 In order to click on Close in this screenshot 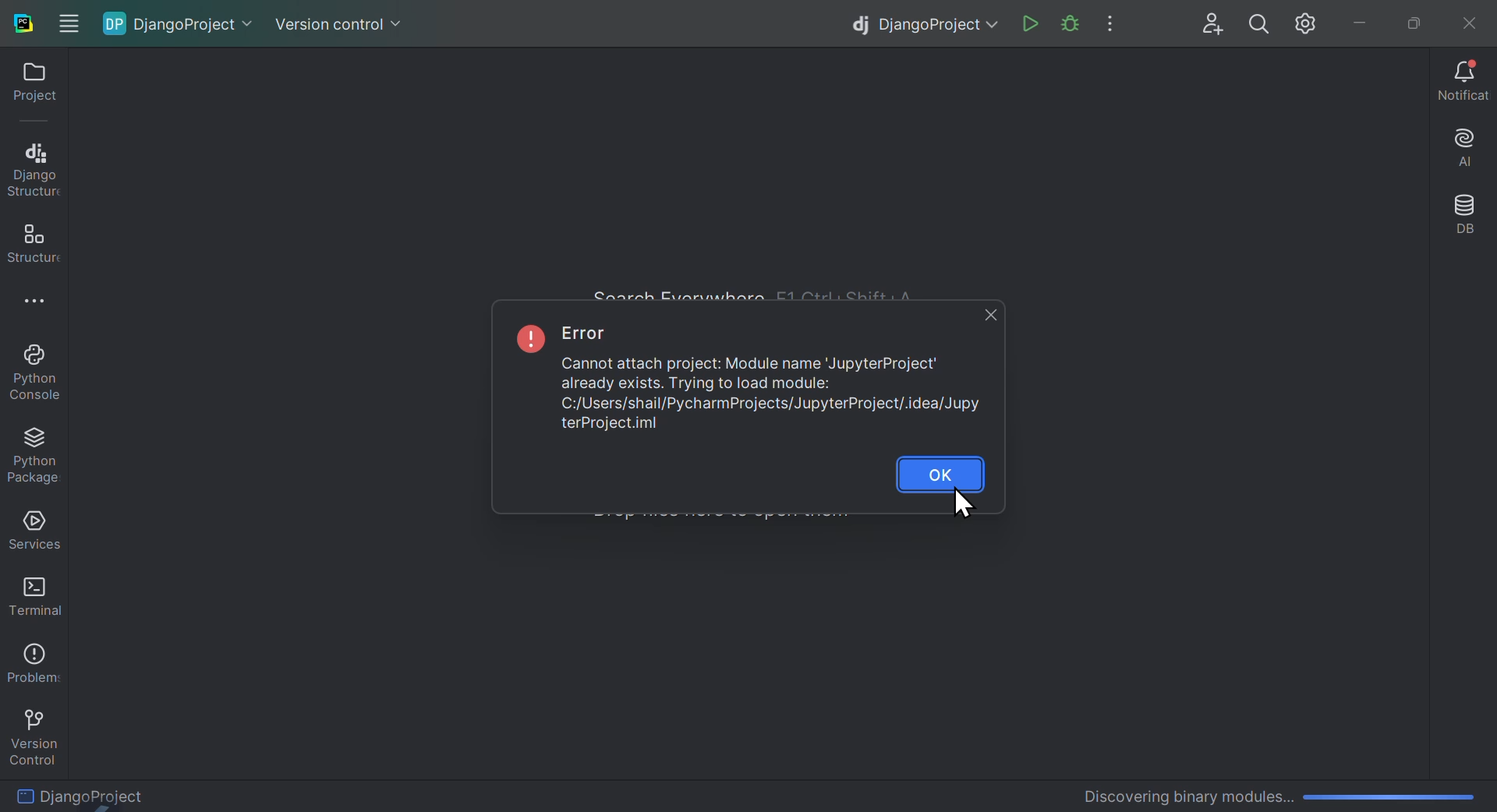, I will do `click(1466, 20)`.